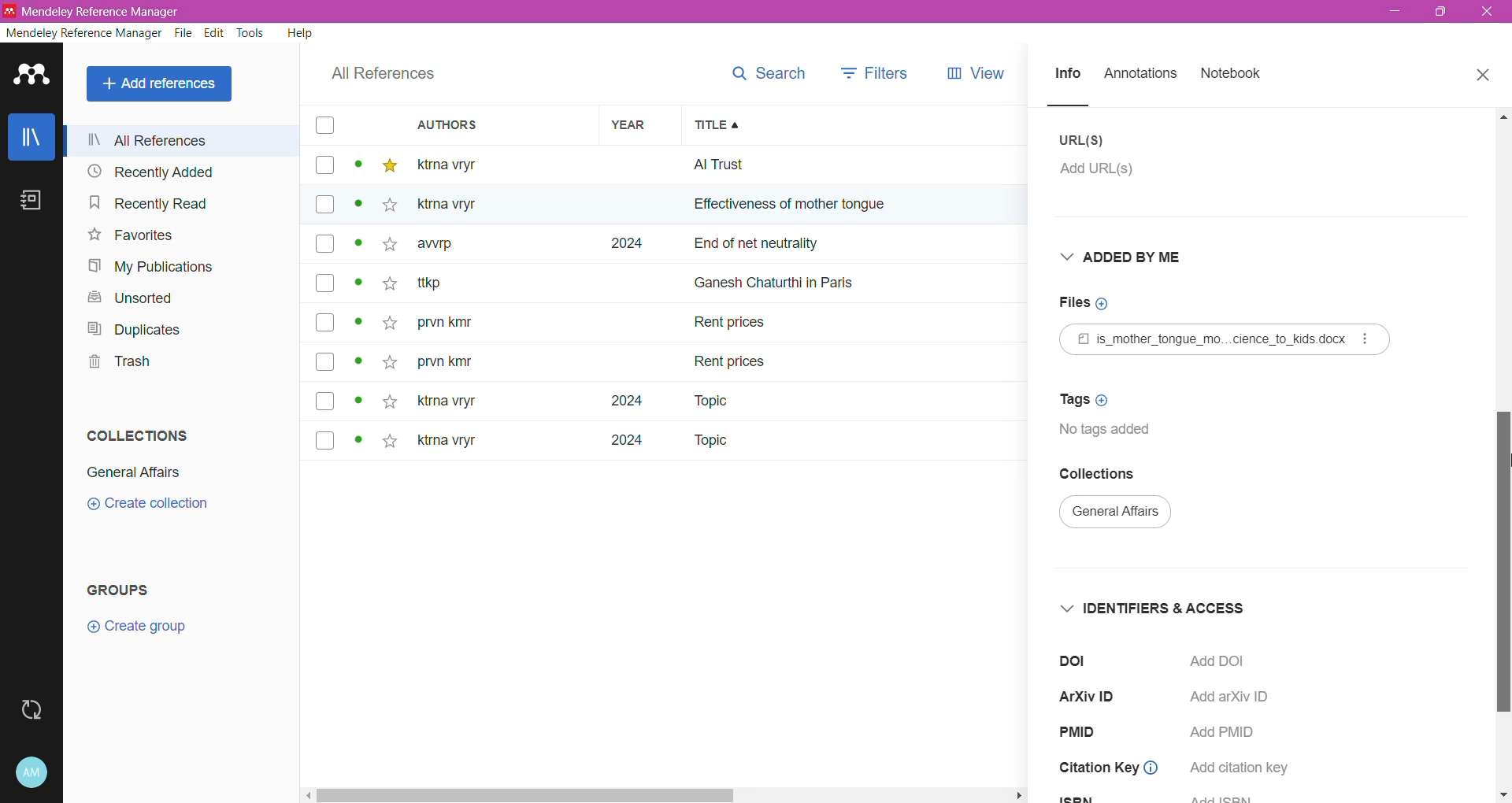  I want to click on ganesh chaturthi in paris , so click(792, 276).